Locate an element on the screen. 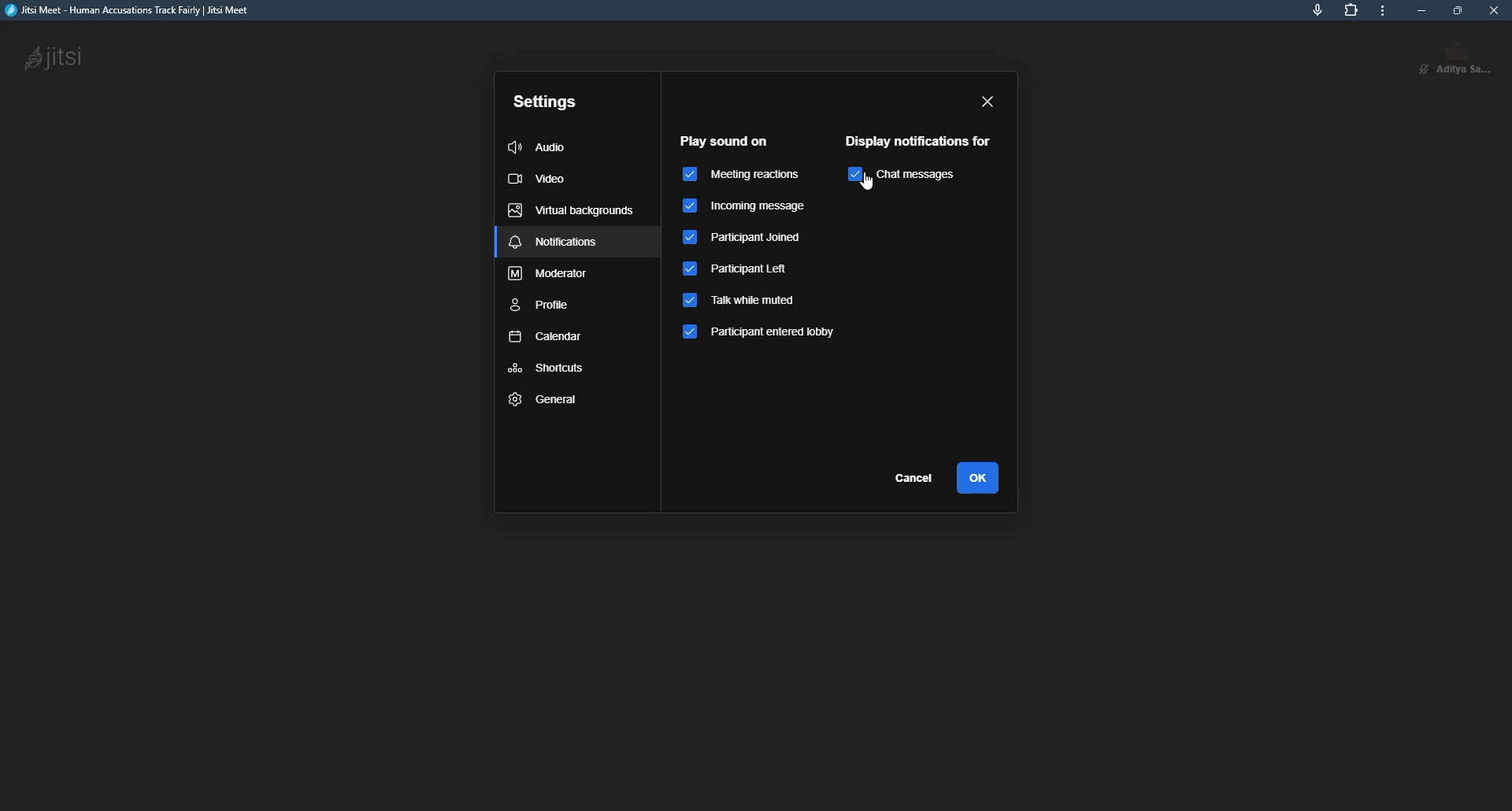  participant entered lobby is located at coordinates (761, 331).